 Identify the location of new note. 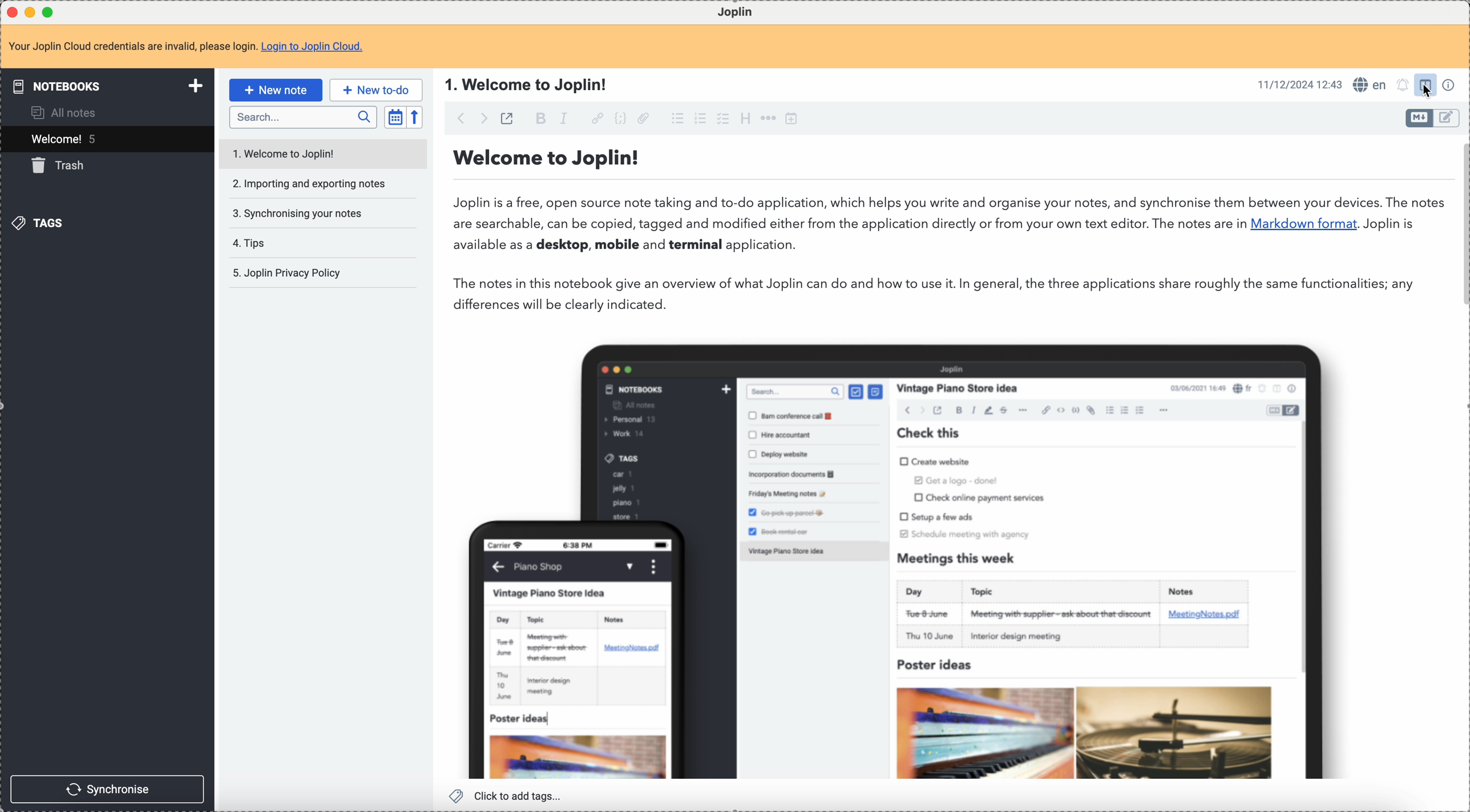
(274, 90).